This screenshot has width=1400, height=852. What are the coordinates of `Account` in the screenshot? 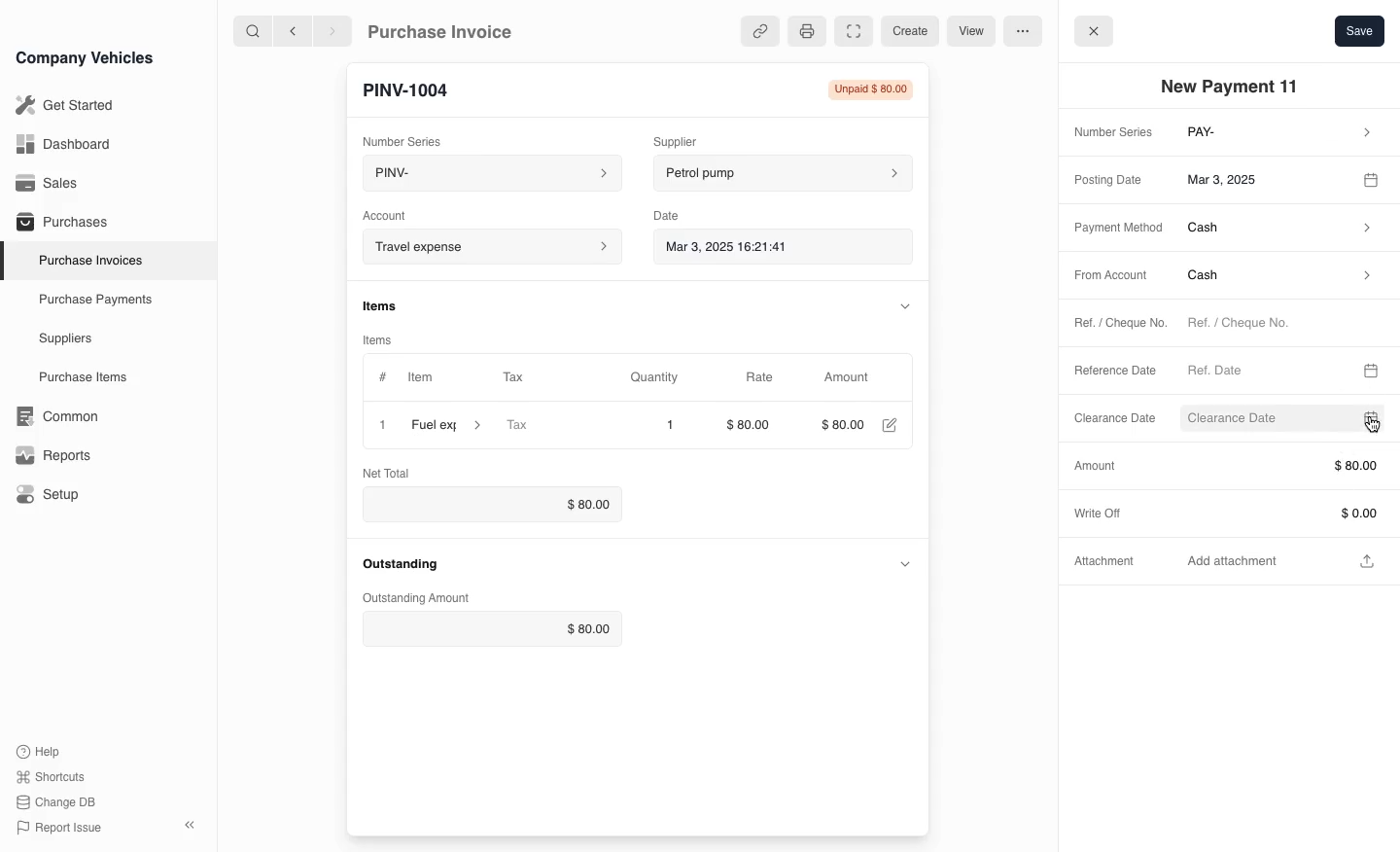 It's located at (490, 246).